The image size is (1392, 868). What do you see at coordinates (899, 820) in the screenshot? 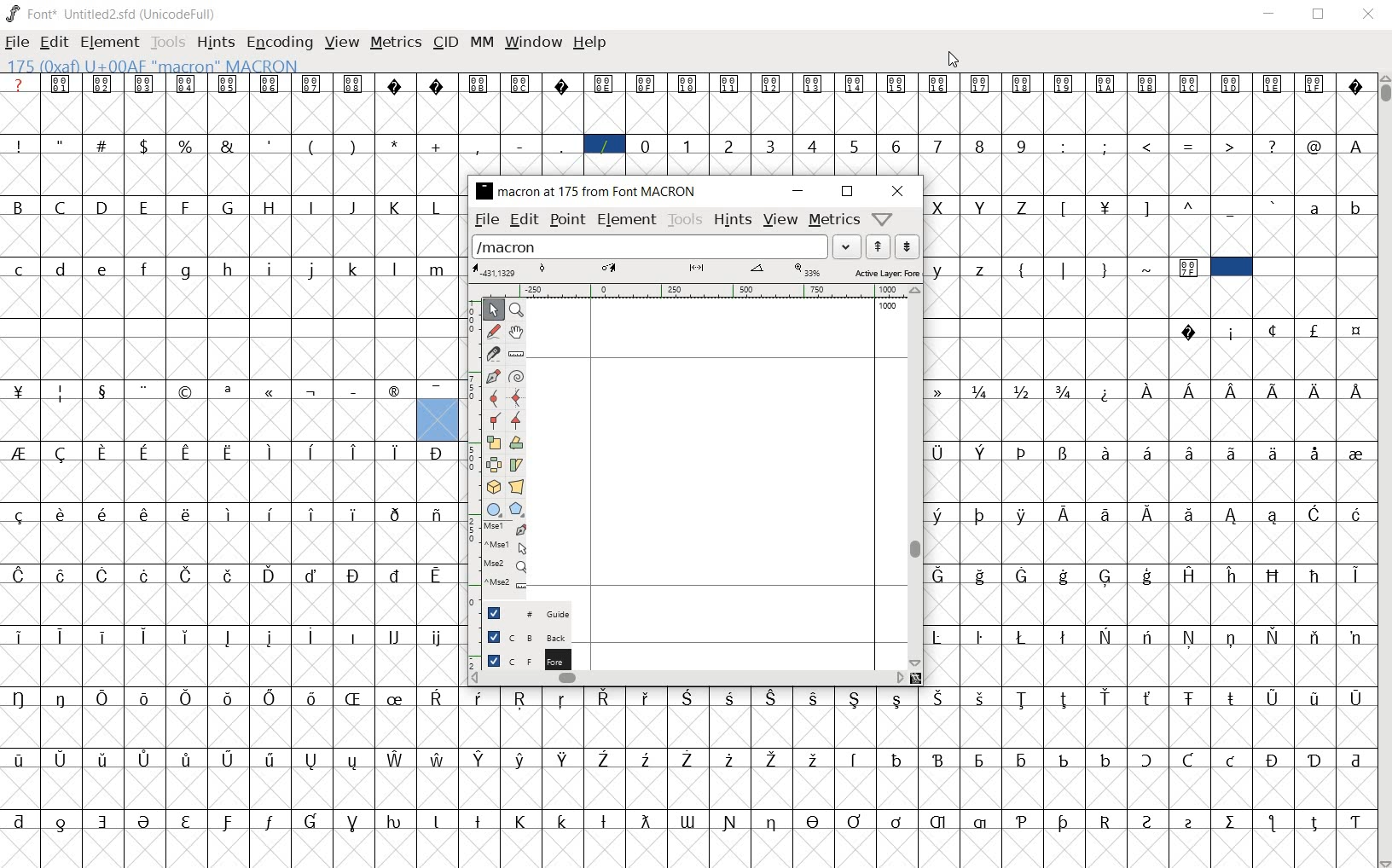
I see `Symbol` at bounding box center [899, 820].